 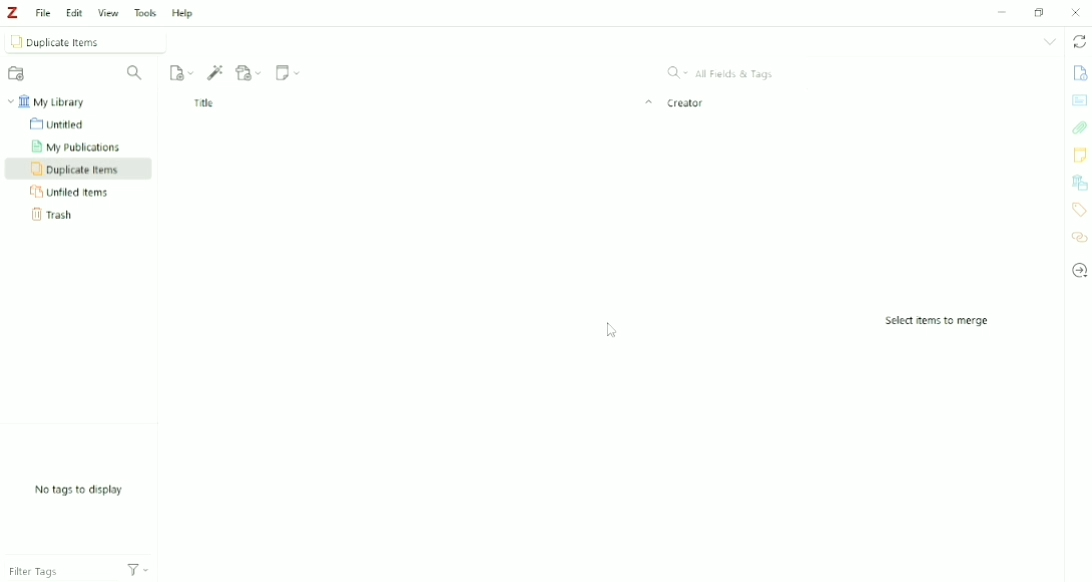 What do you see at coordinates (421, 103) in the screenshot?
I see `Title` at bounding box center [421, 103].